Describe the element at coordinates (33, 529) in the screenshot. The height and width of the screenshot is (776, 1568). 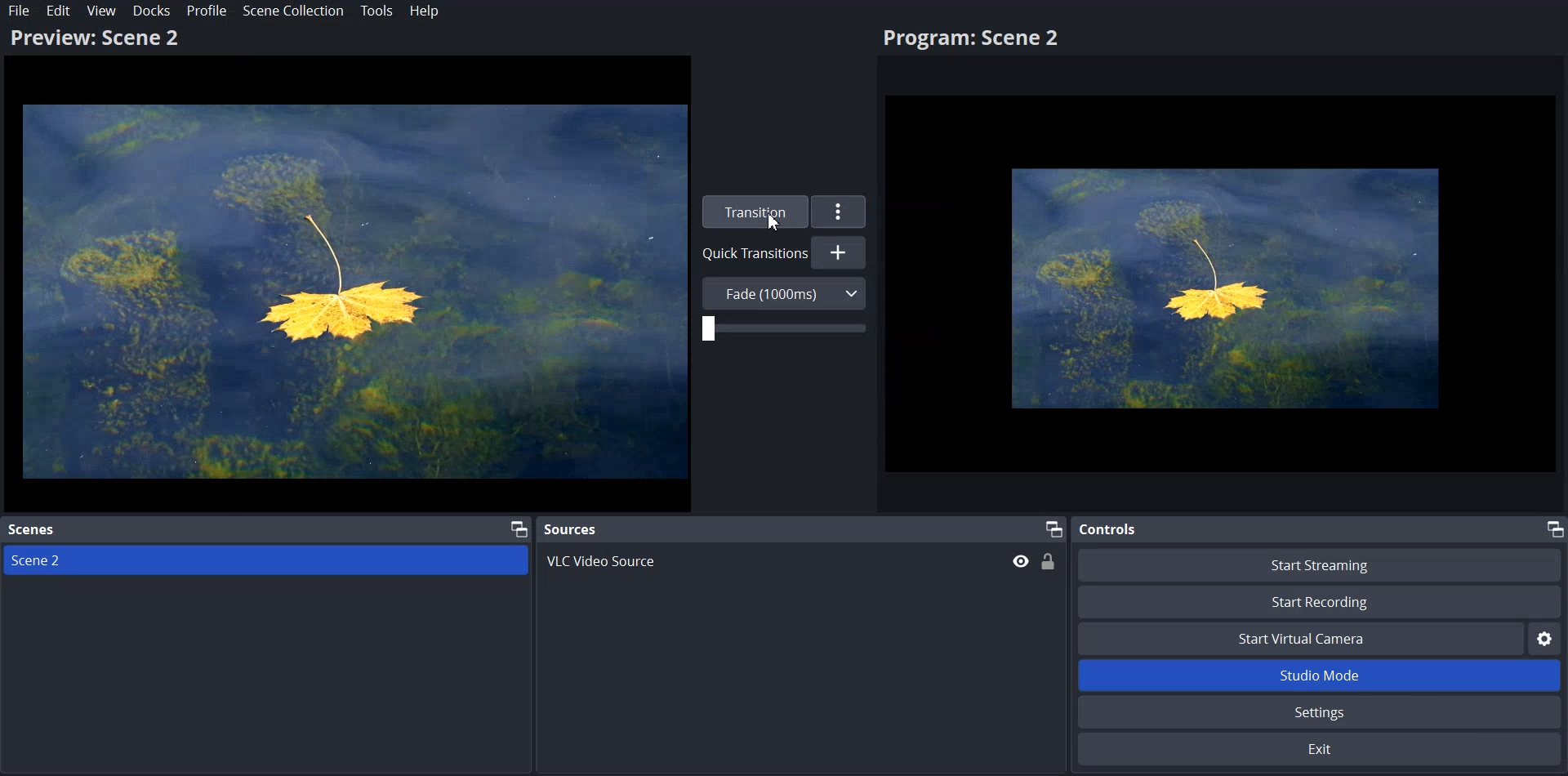
I see `Scenes` at that location.